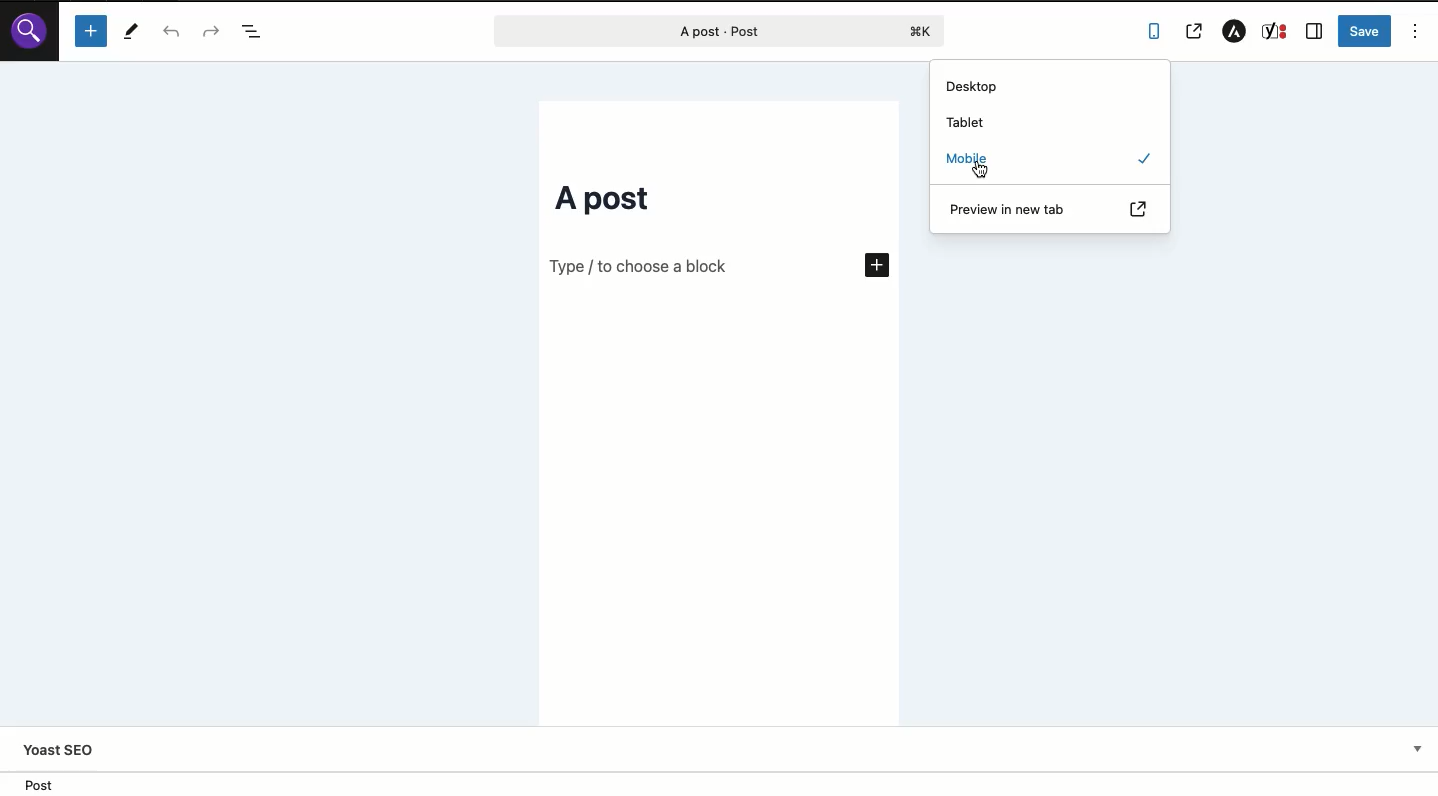 This screenshot has height=796, width=1438. Describe the element at coordinates (726, 752) in the screenshot. I see `Yoast` at that location.